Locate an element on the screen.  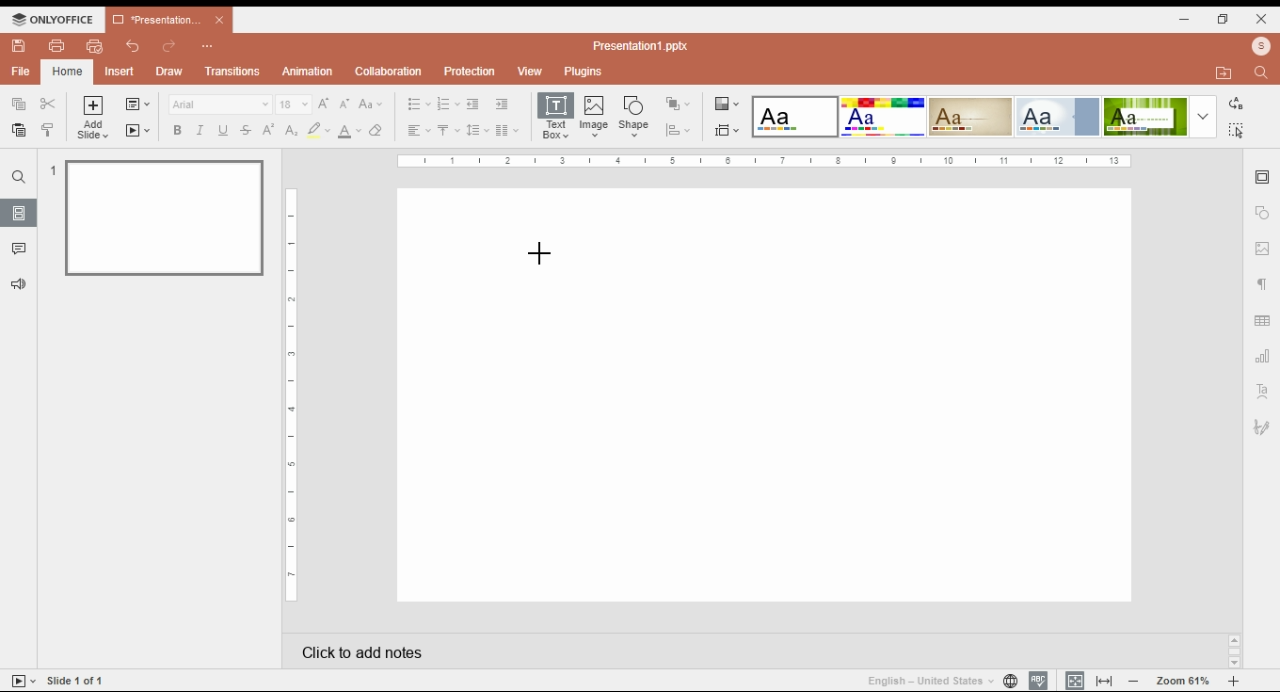
mouse pointer is located at coordinates (539, 256).